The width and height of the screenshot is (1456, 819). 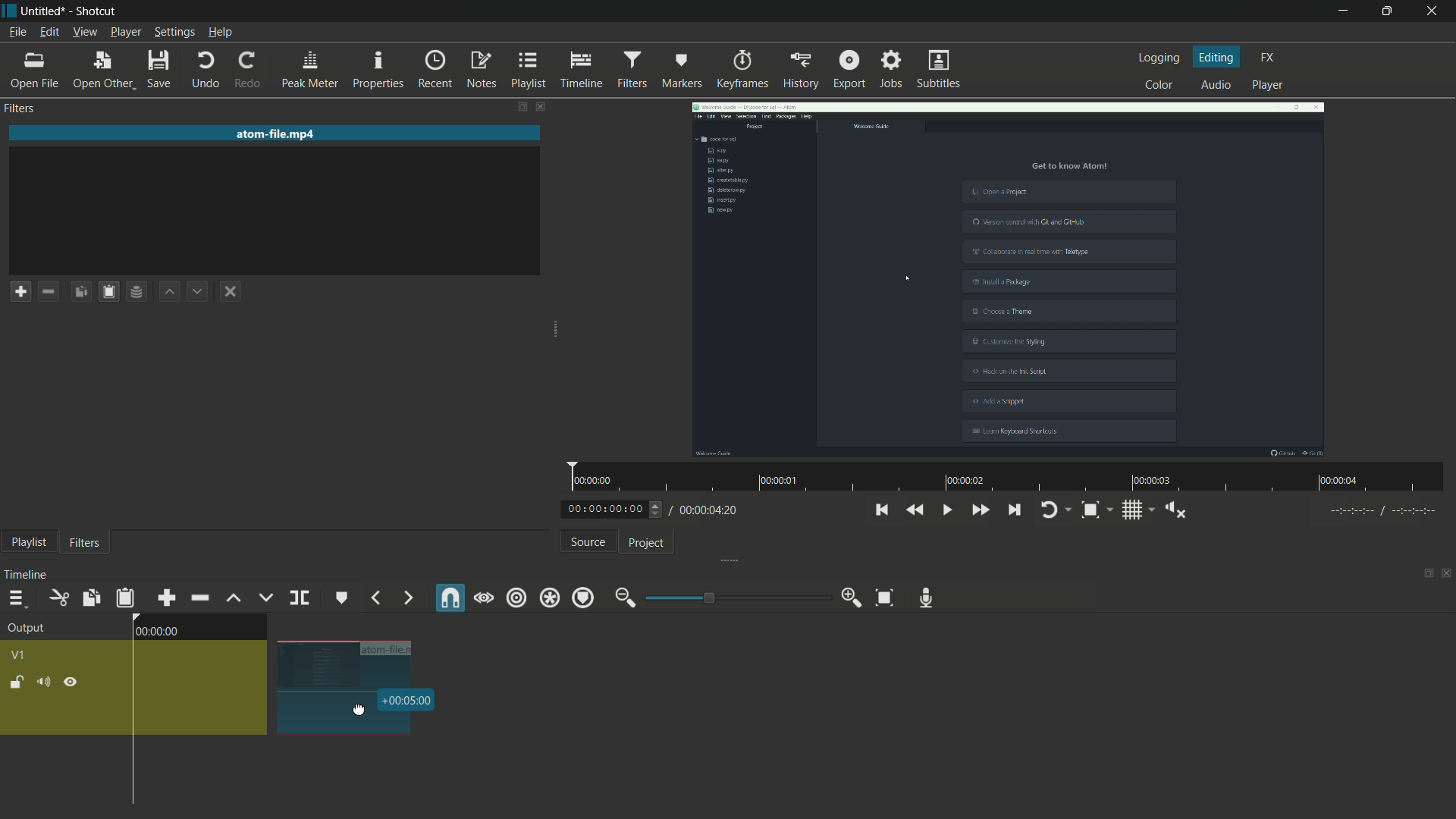 I want to click on settings menu, so click(x=174, y=32).